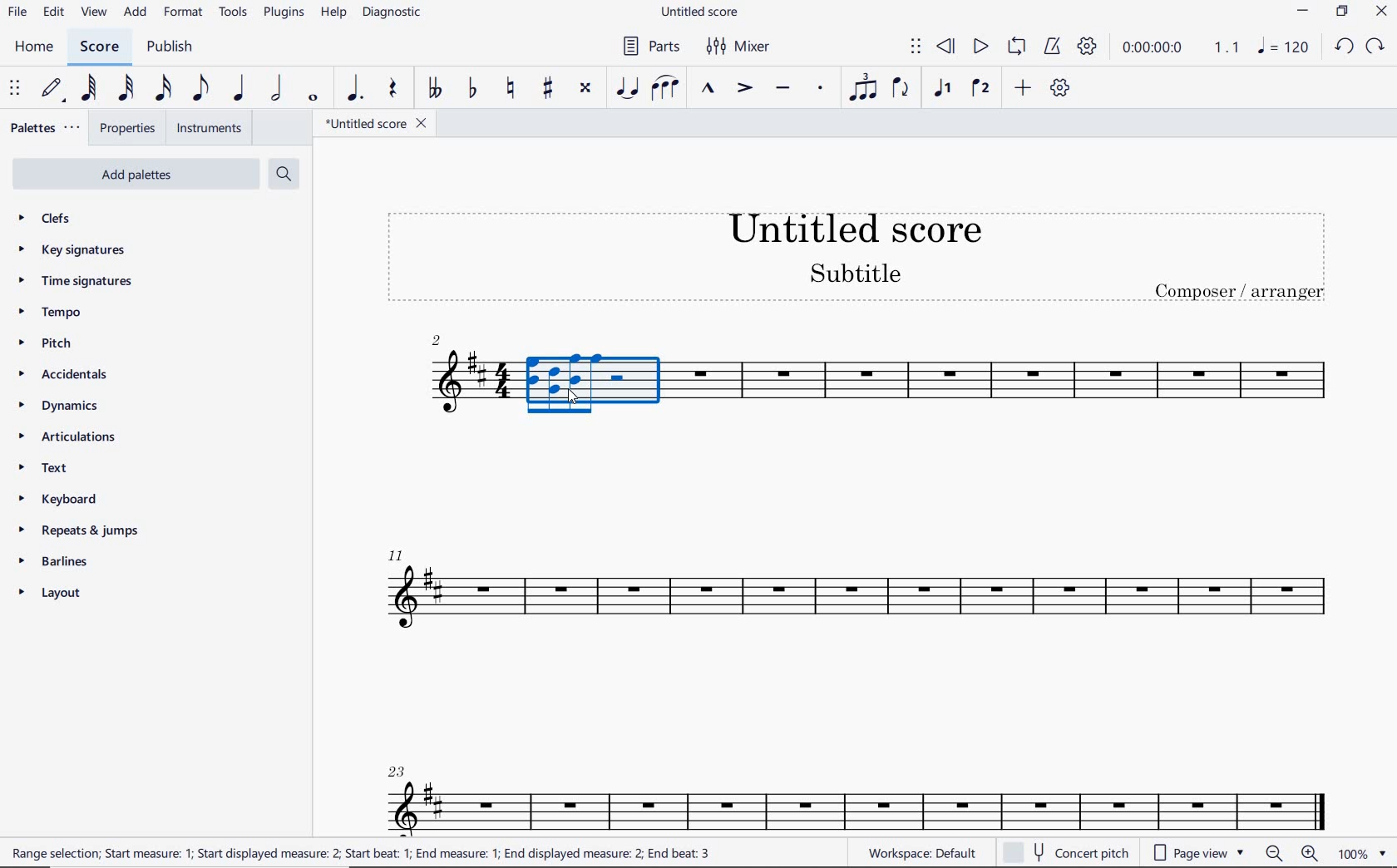  I want to click on NOTE, so click(1282, 47).